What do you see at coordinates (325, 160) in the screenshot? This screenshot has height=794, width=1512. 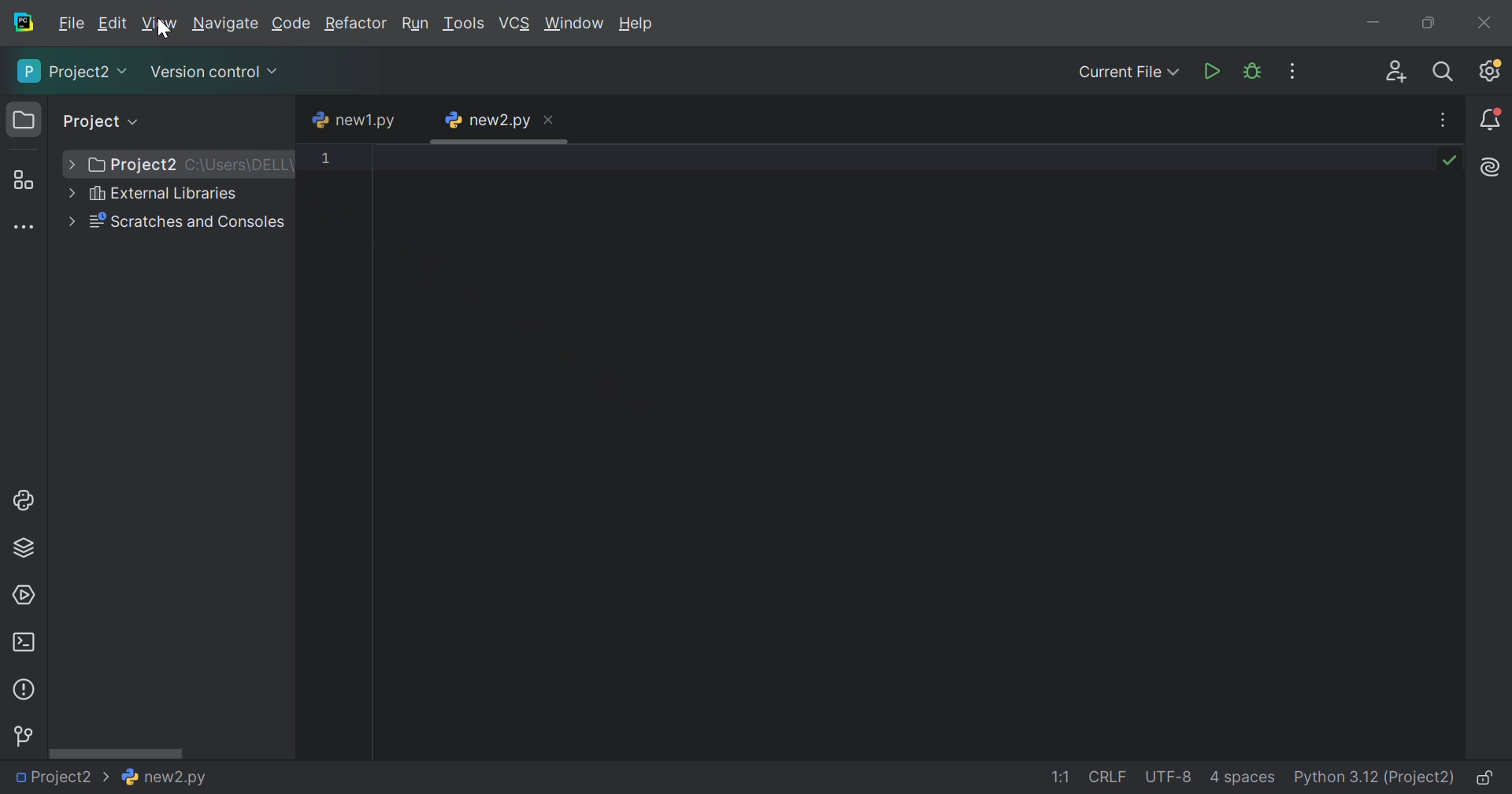 I see `1` at bounding box center [325, 160].